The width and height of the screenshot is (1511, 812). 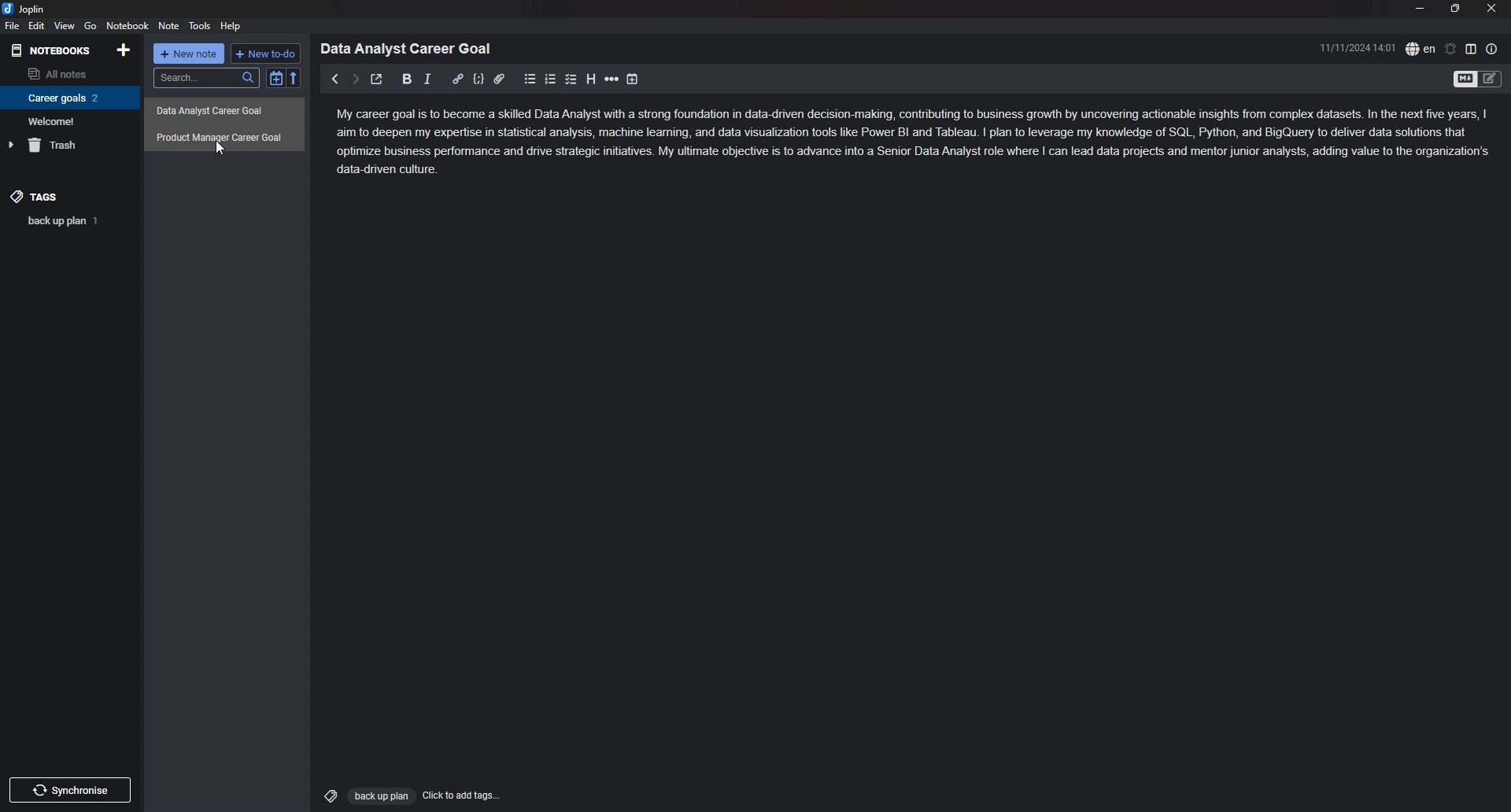 I want to click on go, so click(x=91, y=26).